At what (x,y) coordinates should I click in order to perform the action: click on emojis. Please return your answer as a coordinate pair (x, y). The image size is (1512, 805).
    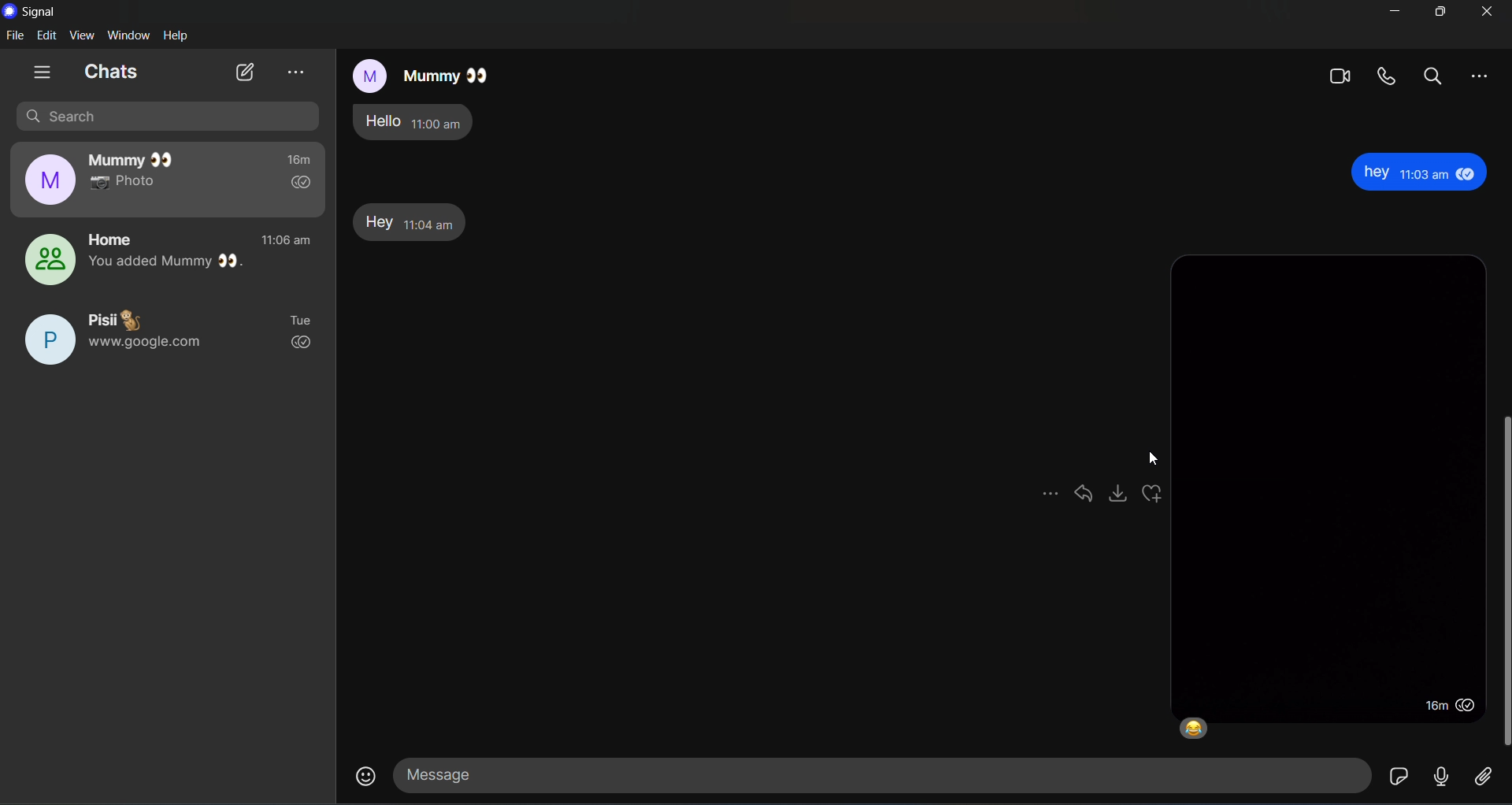
    Looking at the image, I should click on (1156, 496).